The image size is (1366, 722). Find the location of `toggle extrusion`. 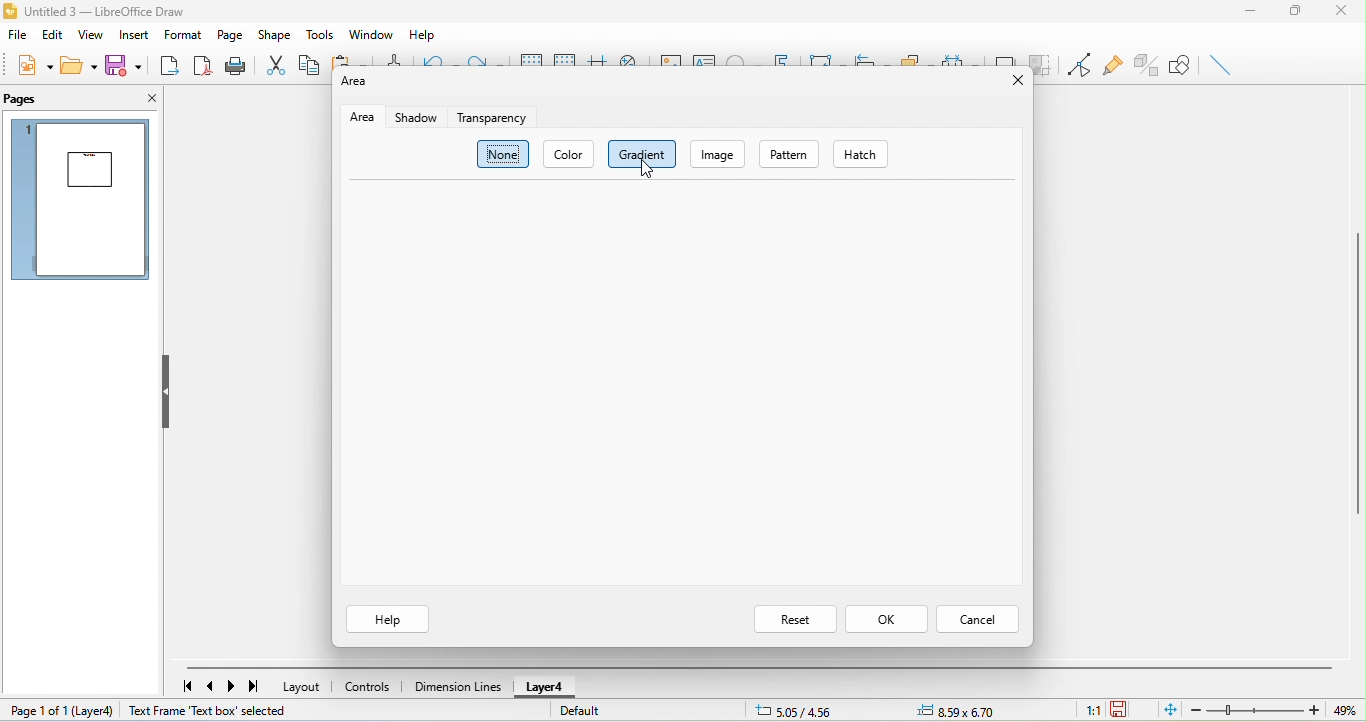

toggle extrusion is located at coordinates (1147, 62).